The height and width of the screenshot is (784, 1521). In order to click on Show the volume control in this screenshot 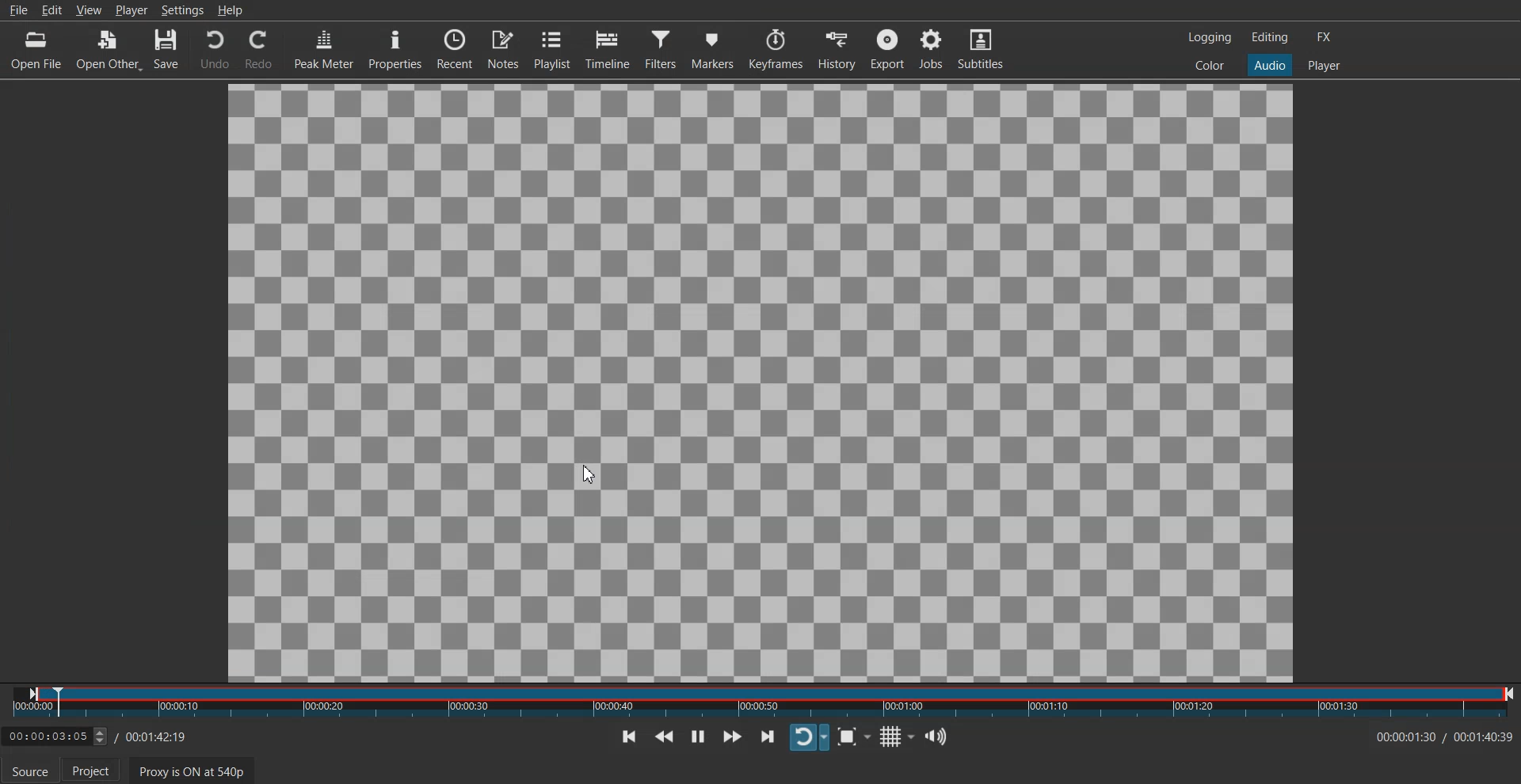, I will do `click(937, 736)`.